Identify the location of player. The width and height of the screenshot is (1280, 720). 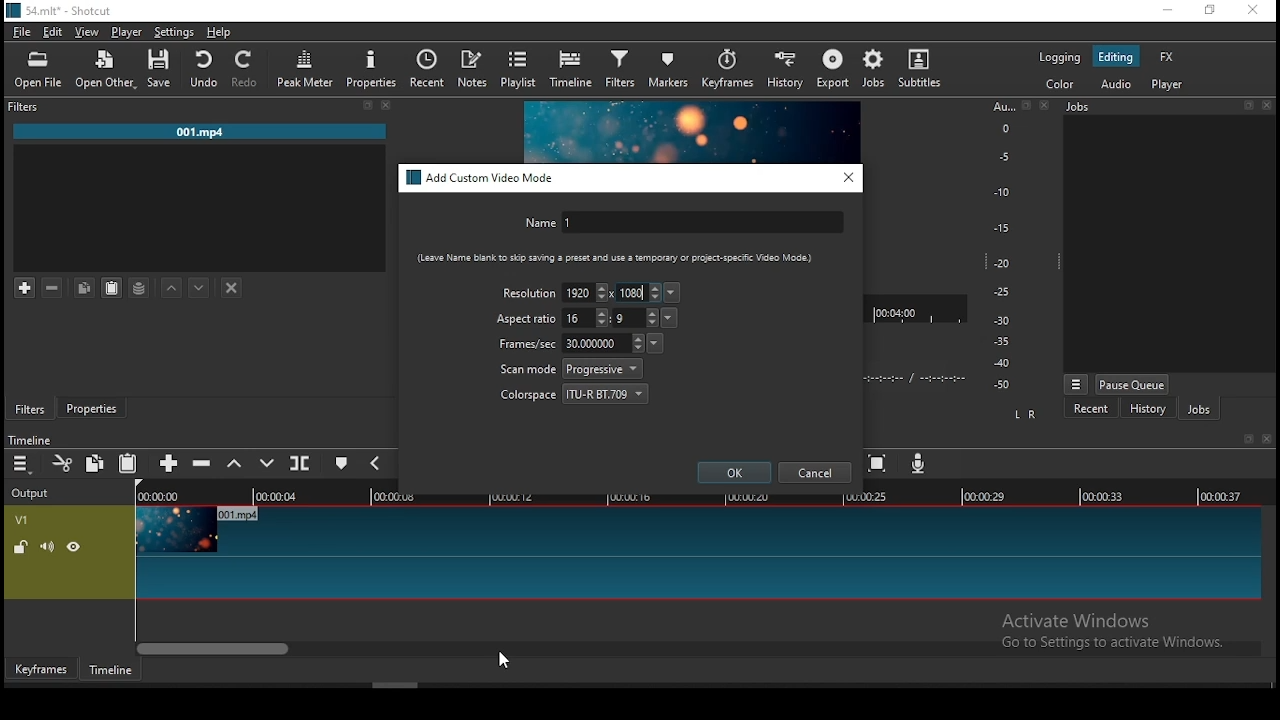
(1170, 85).